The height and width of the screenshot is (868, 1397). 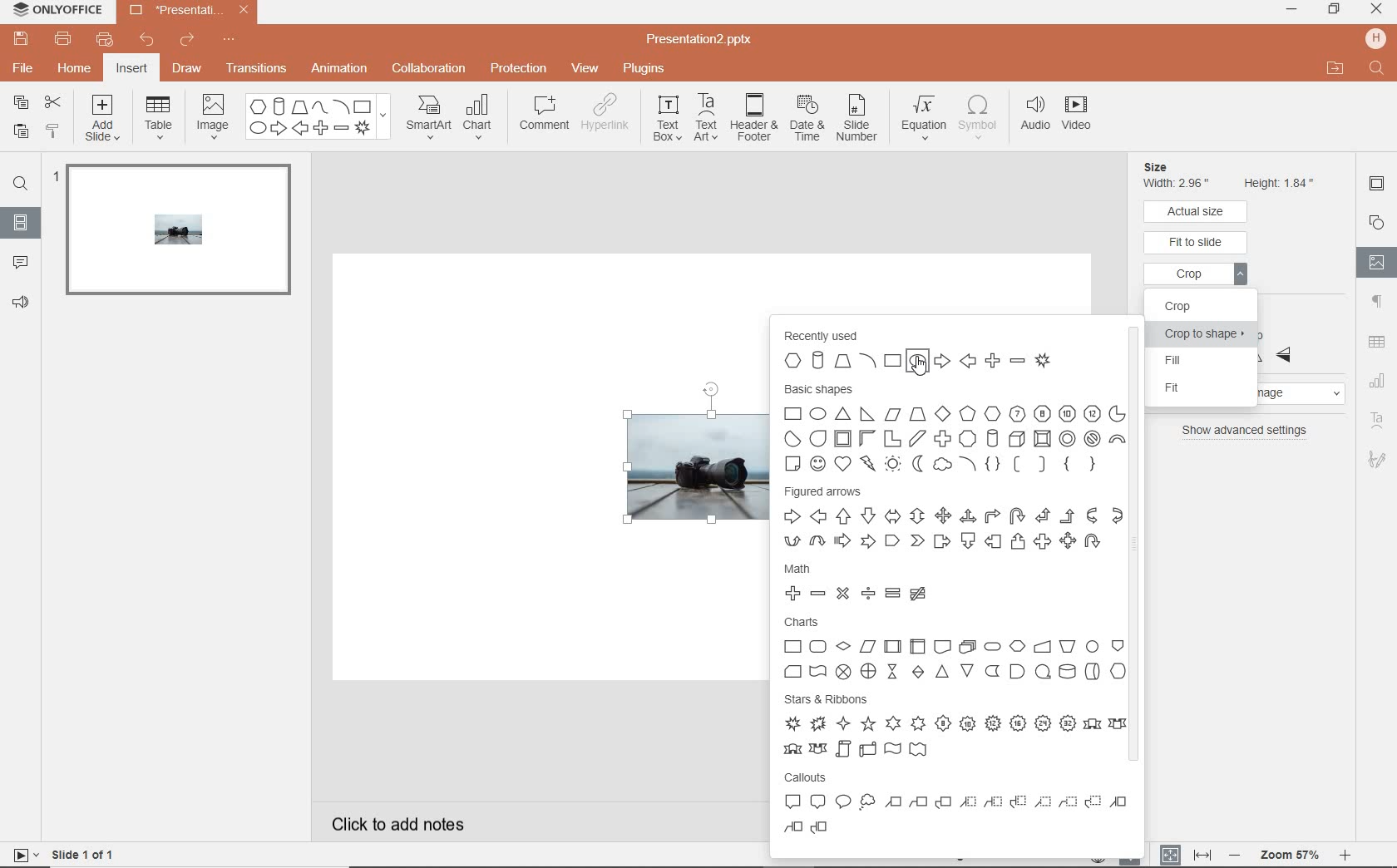 What do you see at coordinates (959, 809) in the screenshot?
I see `callouts` at bounding box center [959, 809].